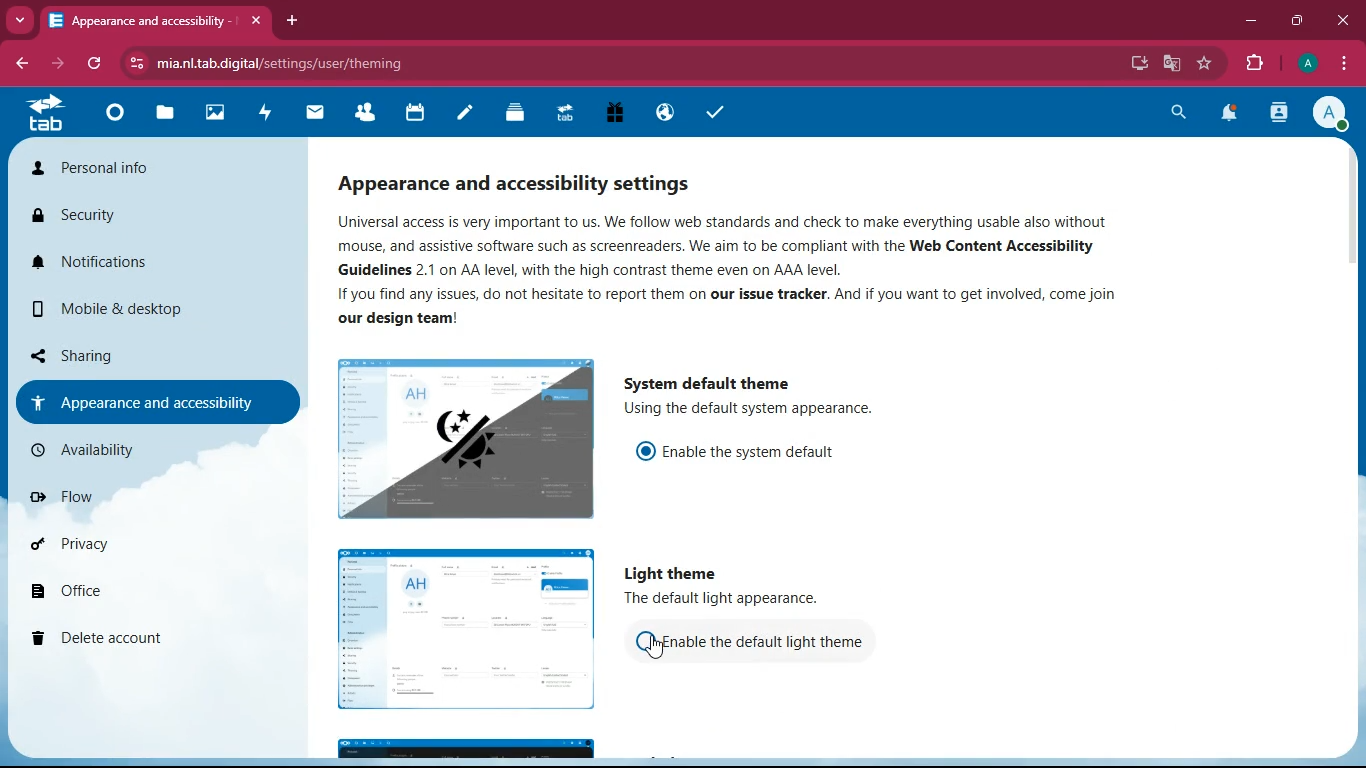 Image resolution: width=1366 pixels, height=768 pixels. I want to click on menu, so click(1340, 64).